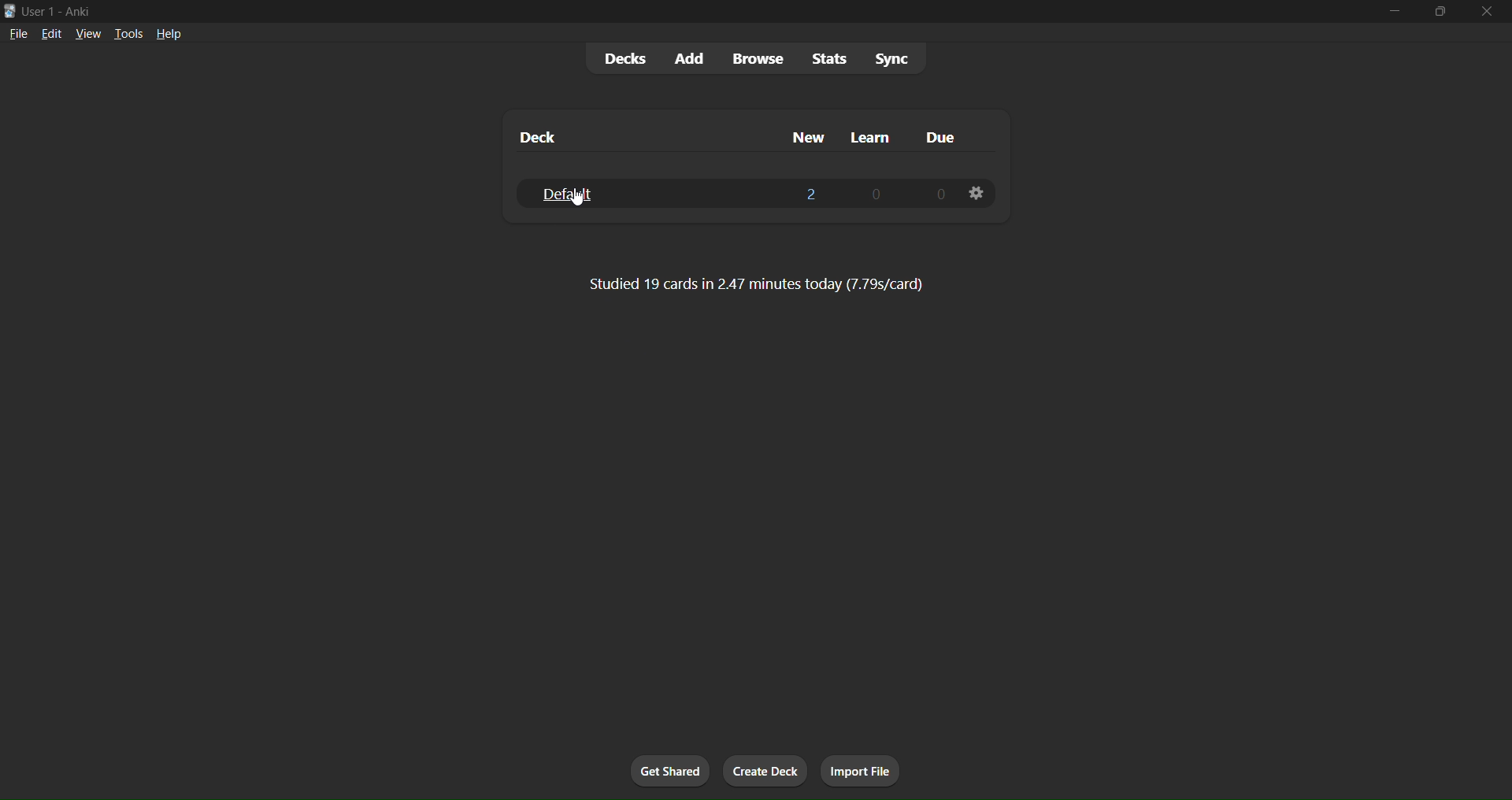 This screenshot has height=800, width=1512. I want to click on Sync, so click(895, 59).